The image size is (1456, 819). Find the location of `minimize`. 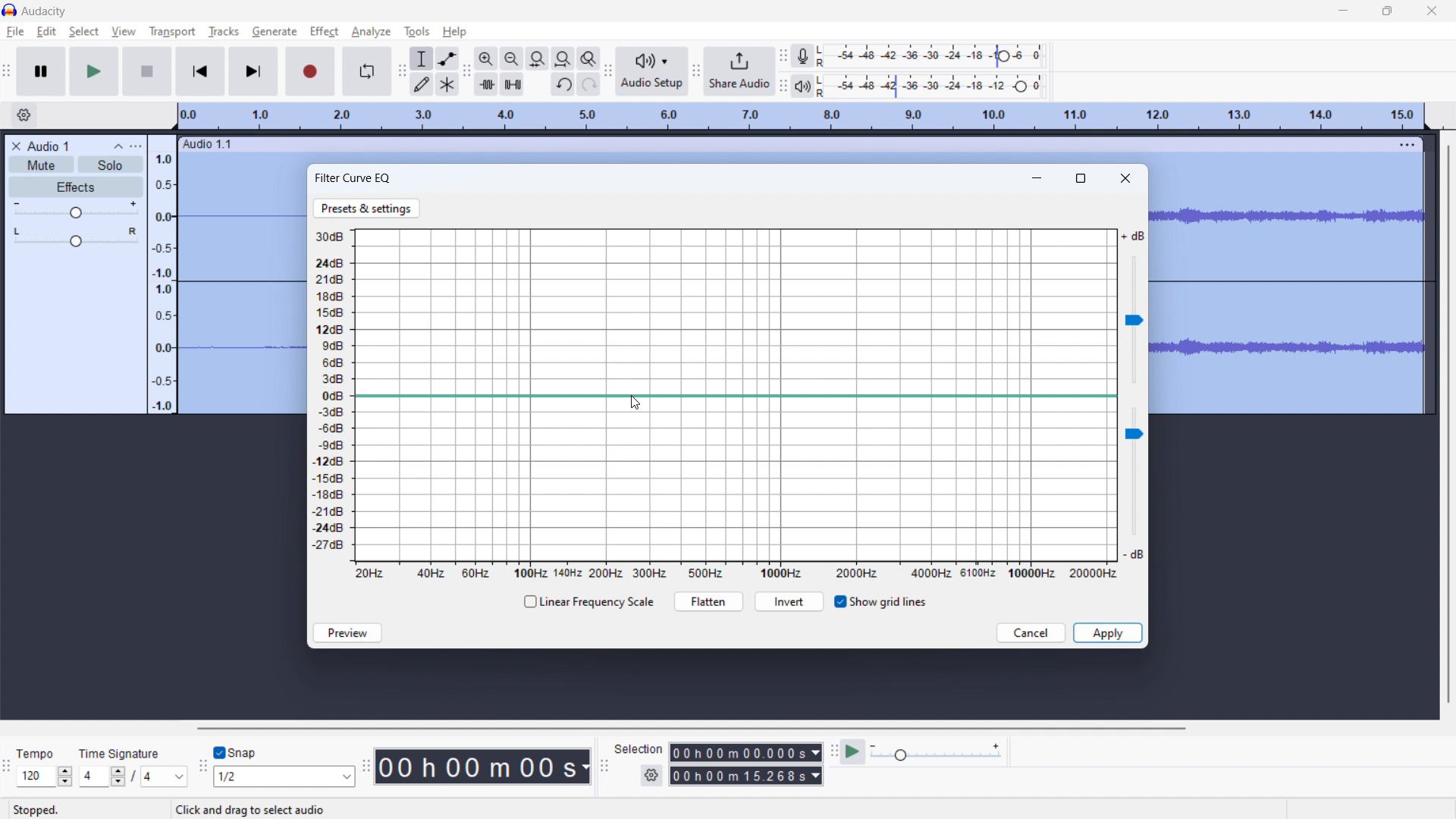

minimize is located at coordinates (1344, 10).